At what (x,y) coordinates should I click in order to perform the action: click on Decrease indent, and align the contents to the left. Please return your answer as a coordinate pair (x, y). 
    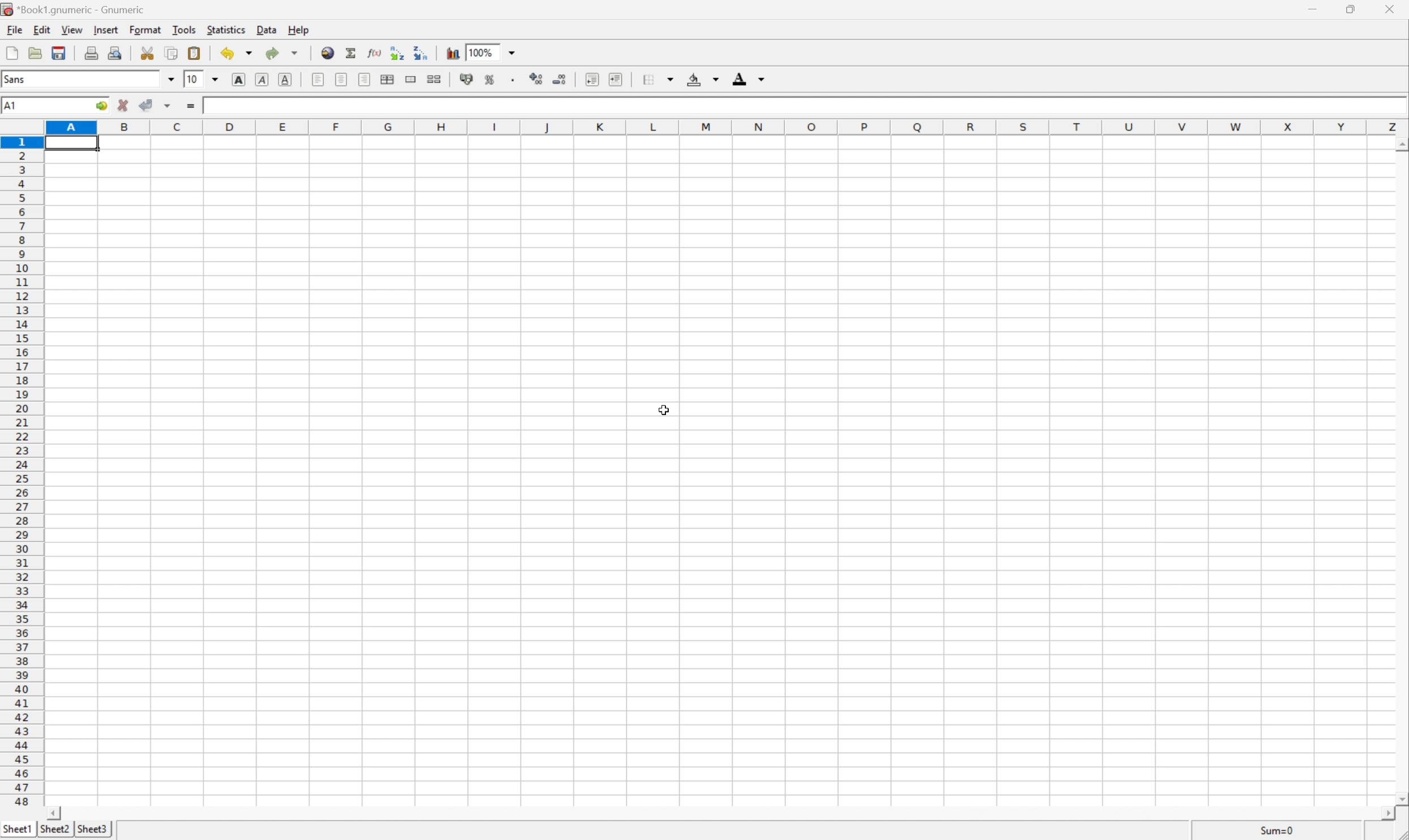
    Looking at the image, I should click on (591, 79).